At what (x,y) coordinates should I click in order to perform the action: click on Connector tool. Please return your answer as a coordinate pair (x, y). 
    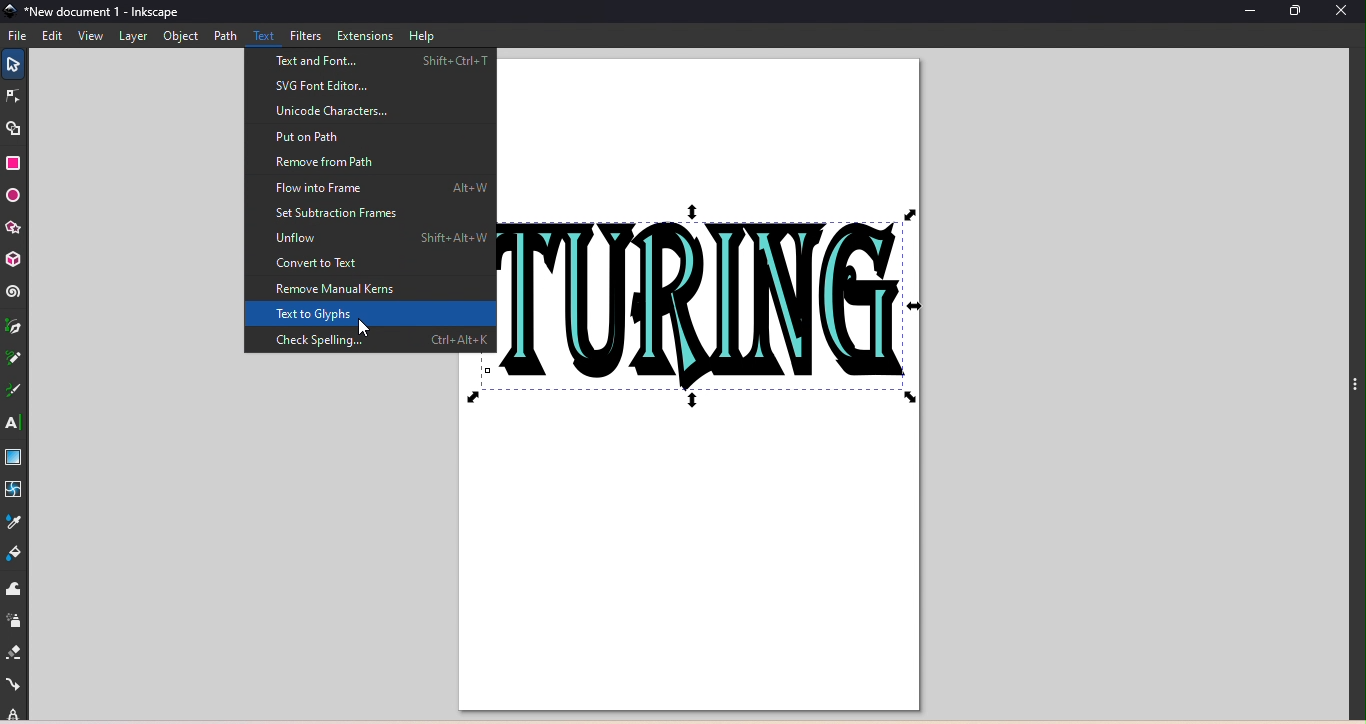
    Looking at the image, I should click on (15, 685).